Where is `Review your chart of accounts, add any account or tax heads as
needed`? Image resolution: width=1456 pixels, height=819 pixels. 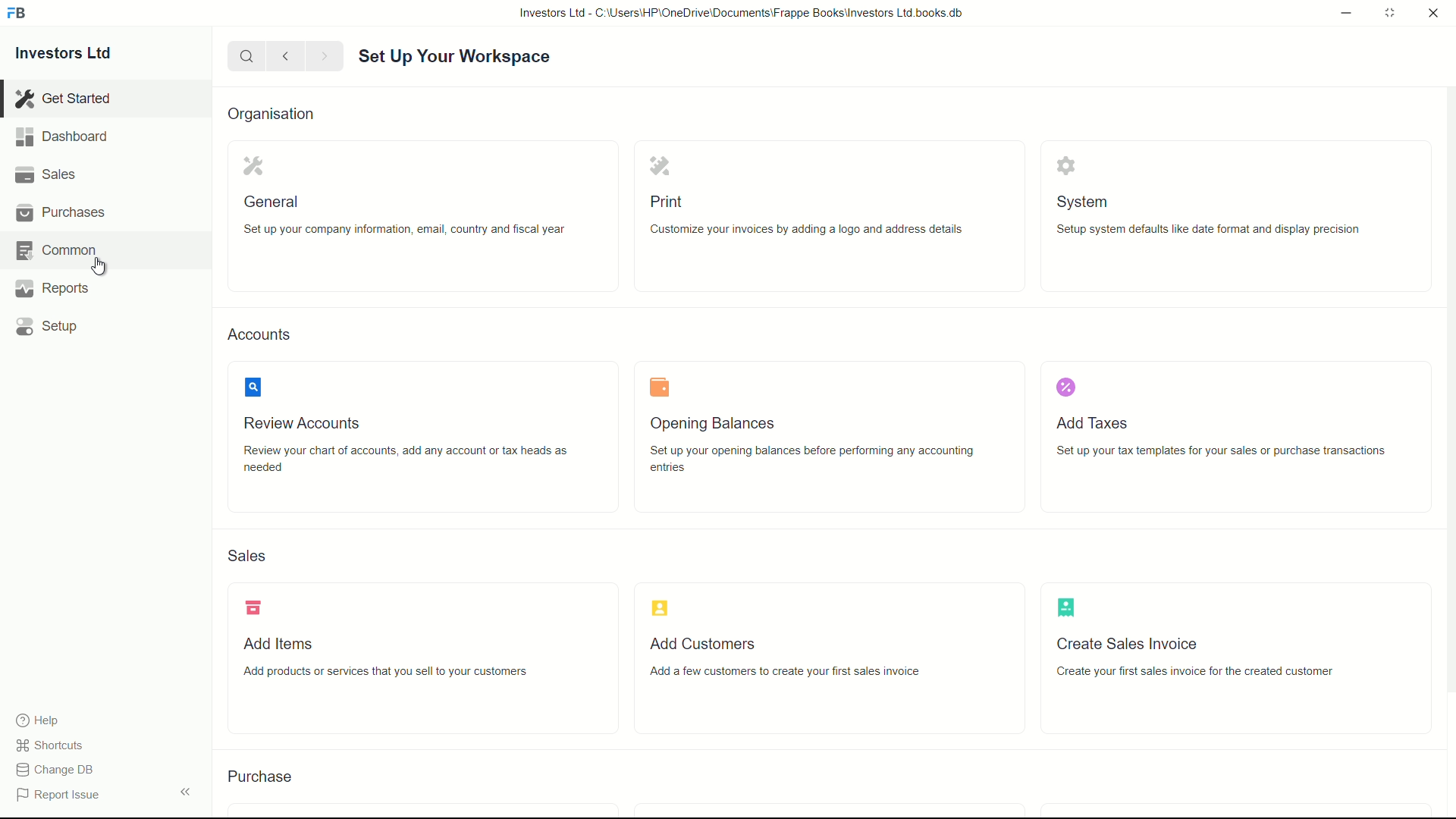 Review your chart of accounts, add any account or tax heads as
needed is located at coordinates (416, 462).